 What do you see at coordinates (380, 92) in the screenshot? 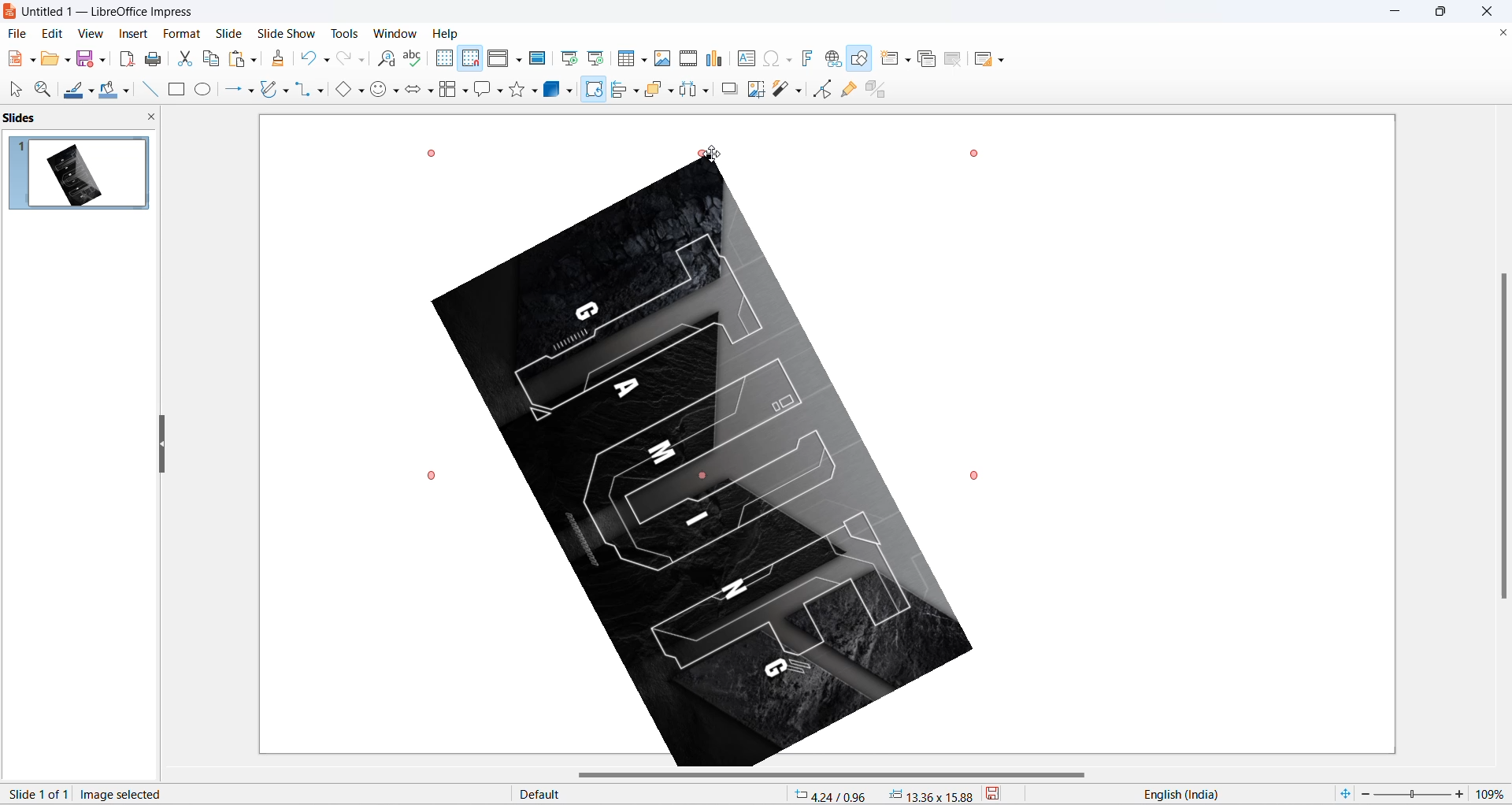
I see `symbol shapes` at bounding box center [380, 92].